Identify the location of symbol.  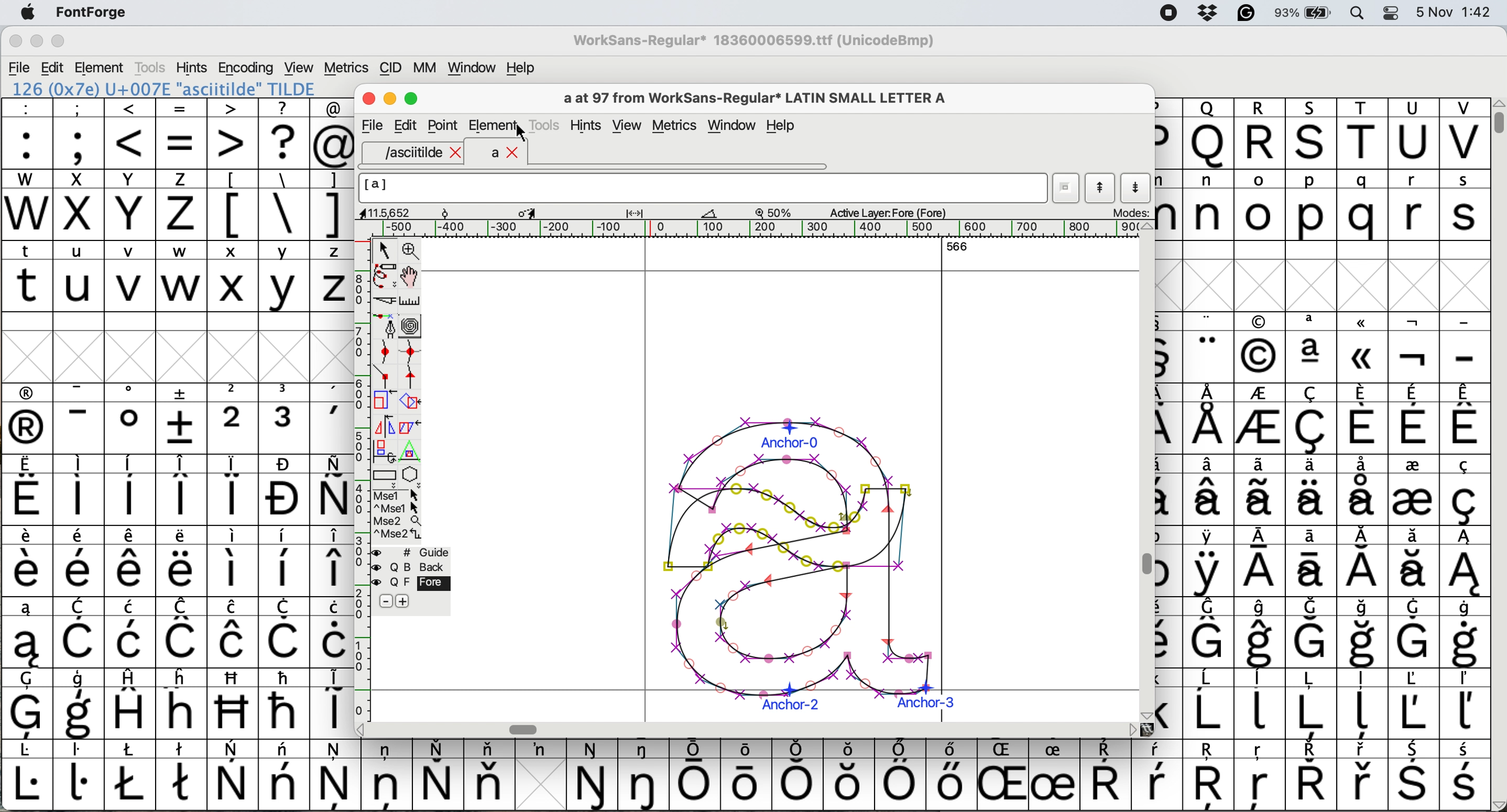
(183, 418).